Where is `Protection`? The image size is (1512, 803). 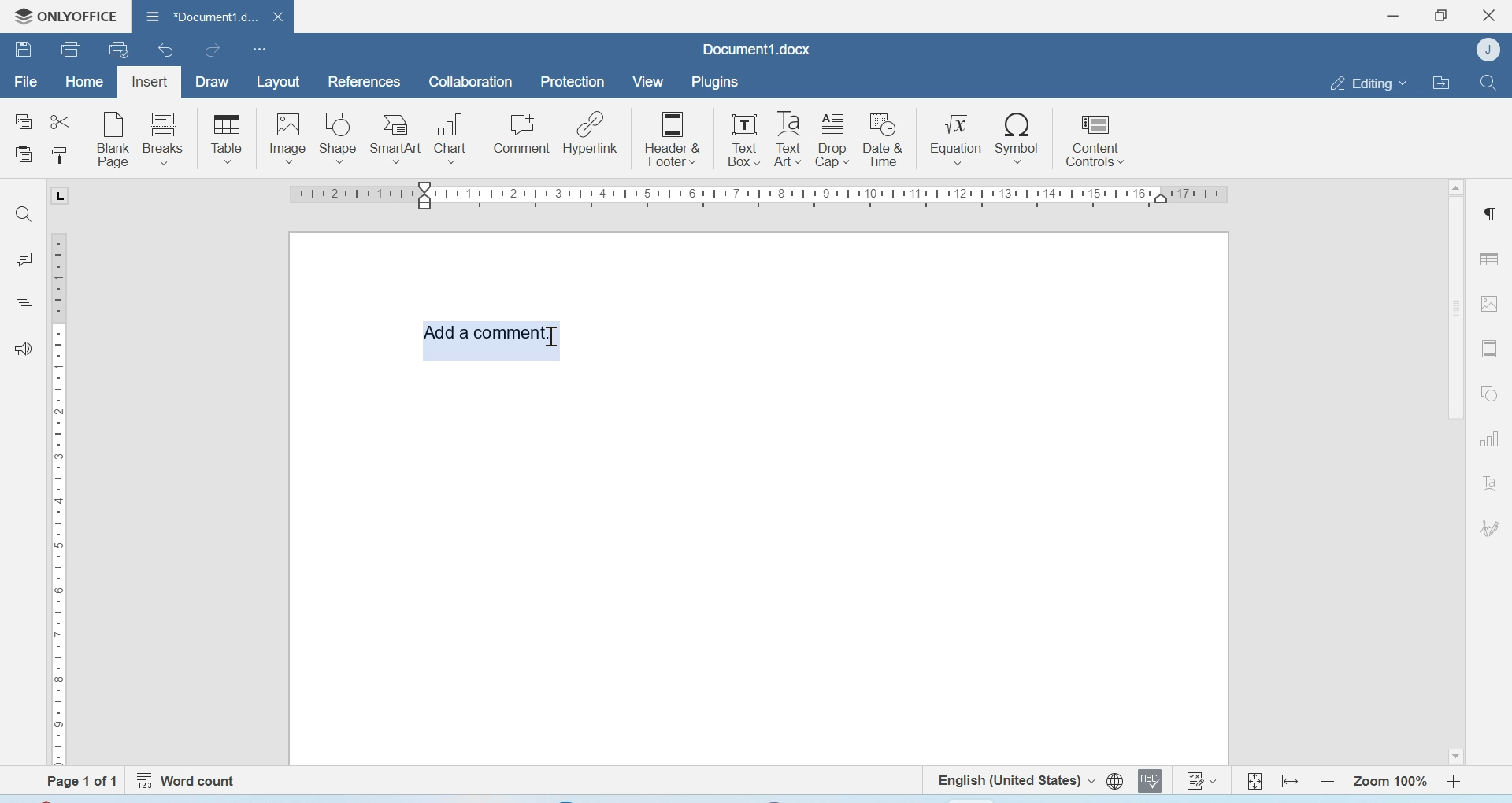
Protection is located at coordinates (573, 83).